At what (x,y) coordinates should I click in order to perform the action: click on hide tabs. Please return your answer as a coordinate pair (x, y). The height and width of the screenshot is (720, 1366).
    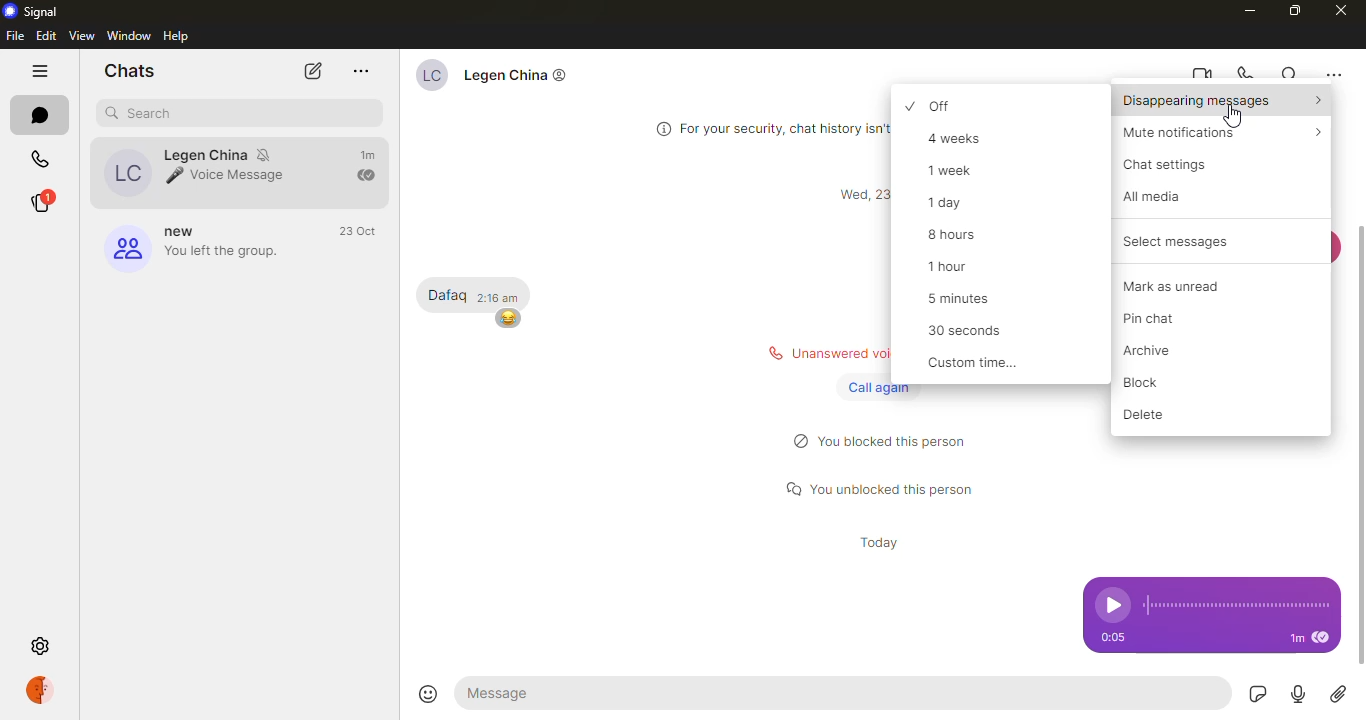
    Looking at the image, I should click on (42, 71).